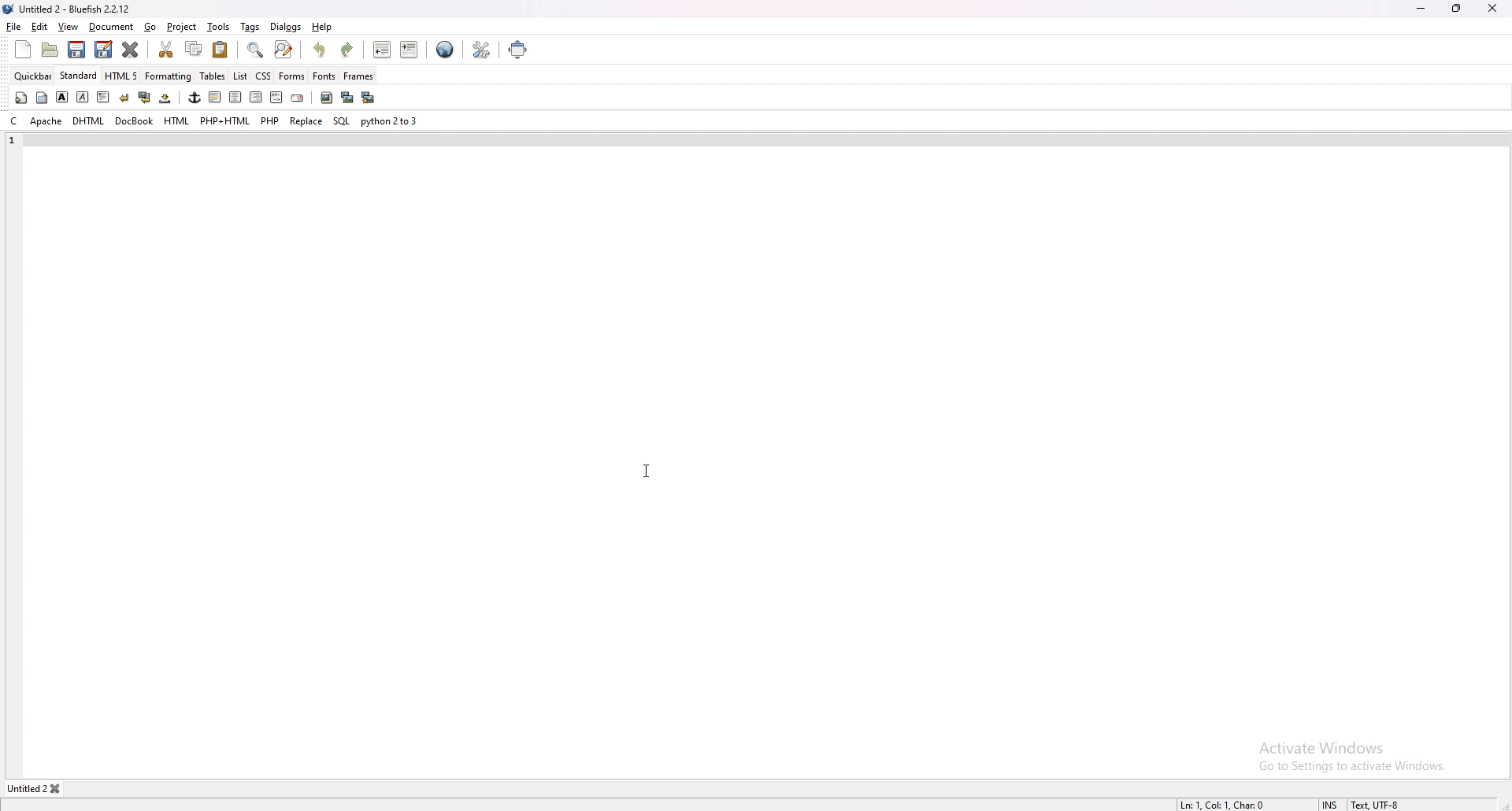 The height and width of the screenshot is (811, 1512). I want to click on line number, so click(13, 140).